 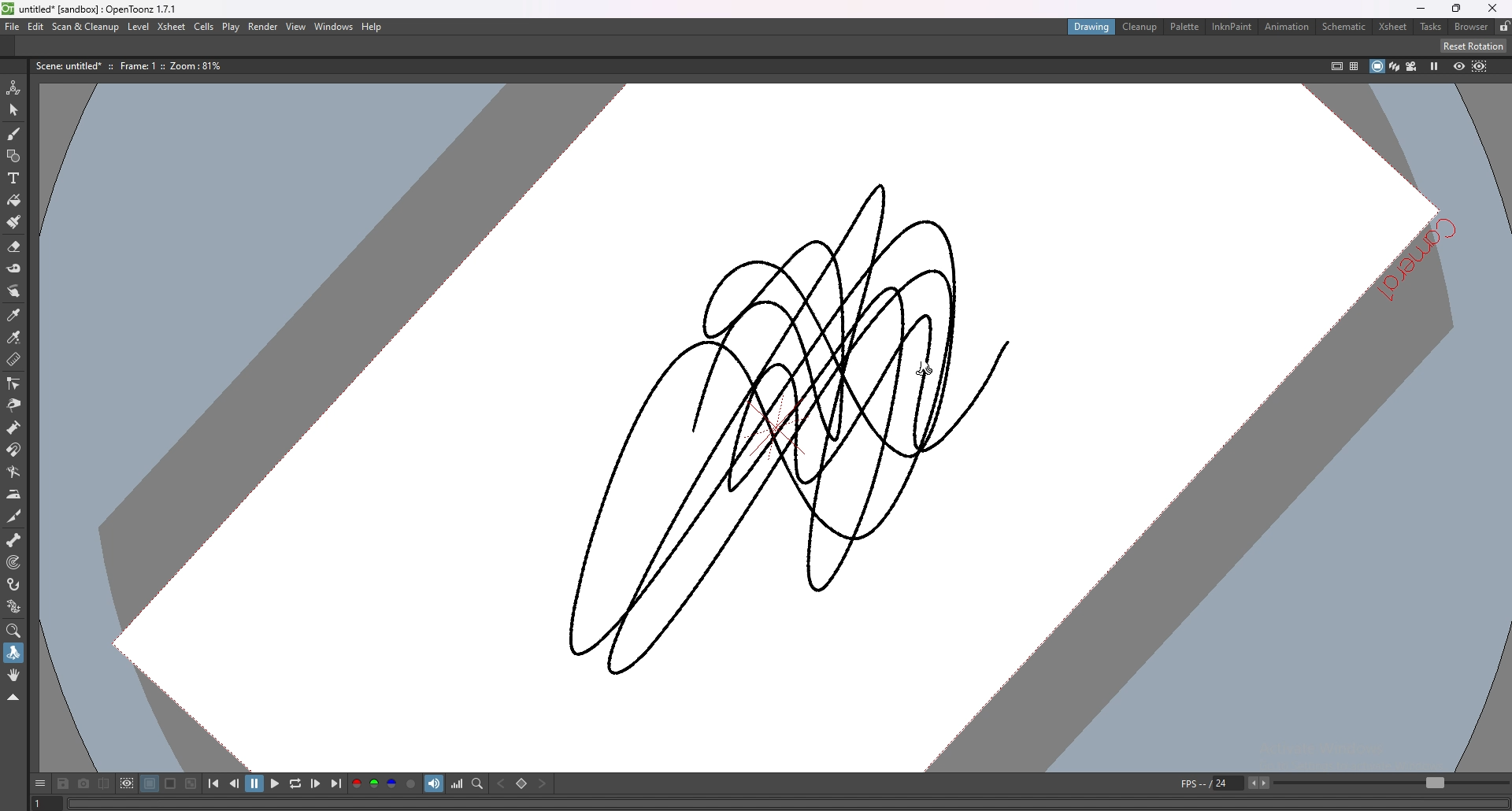 What do you see at coordinates (275, 783) in the screenshot?
I see `play` at bounding box center [275, 783].